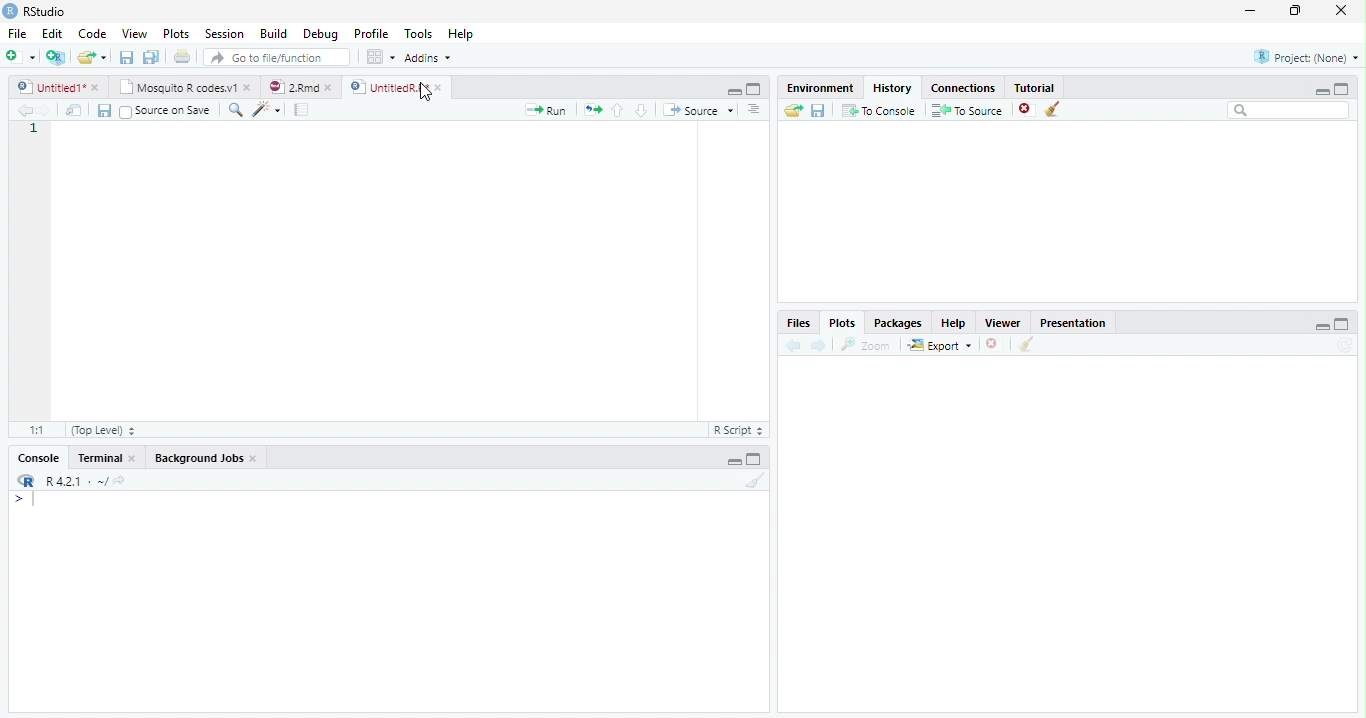 The width and height of the screenshot is (1366, 718). I want to click on Go to previous section, so click(617, 109).